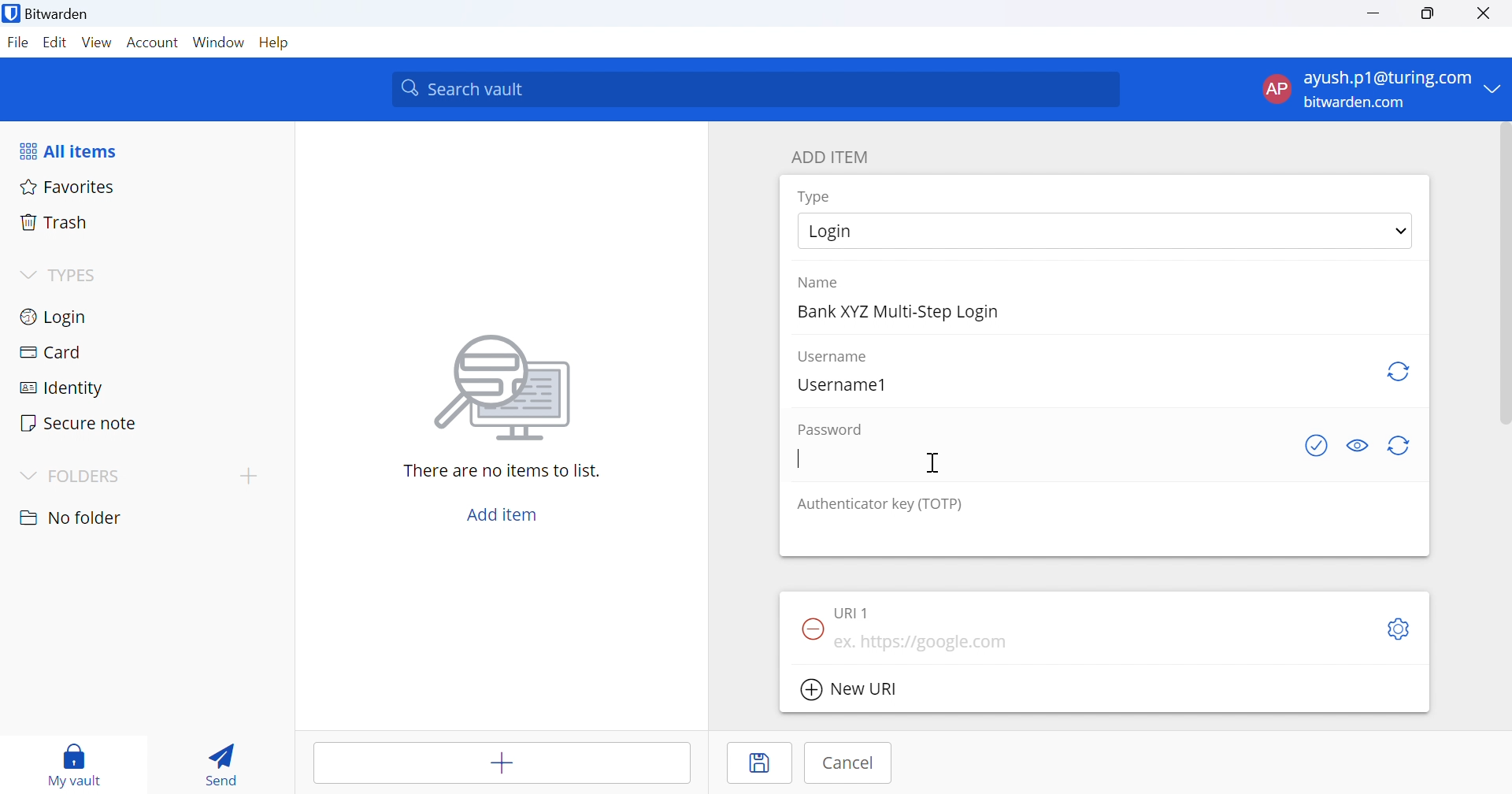  Describe the element at coordinates (1354, 102) in the screenshot. I see `bitwarden.com` at that location.